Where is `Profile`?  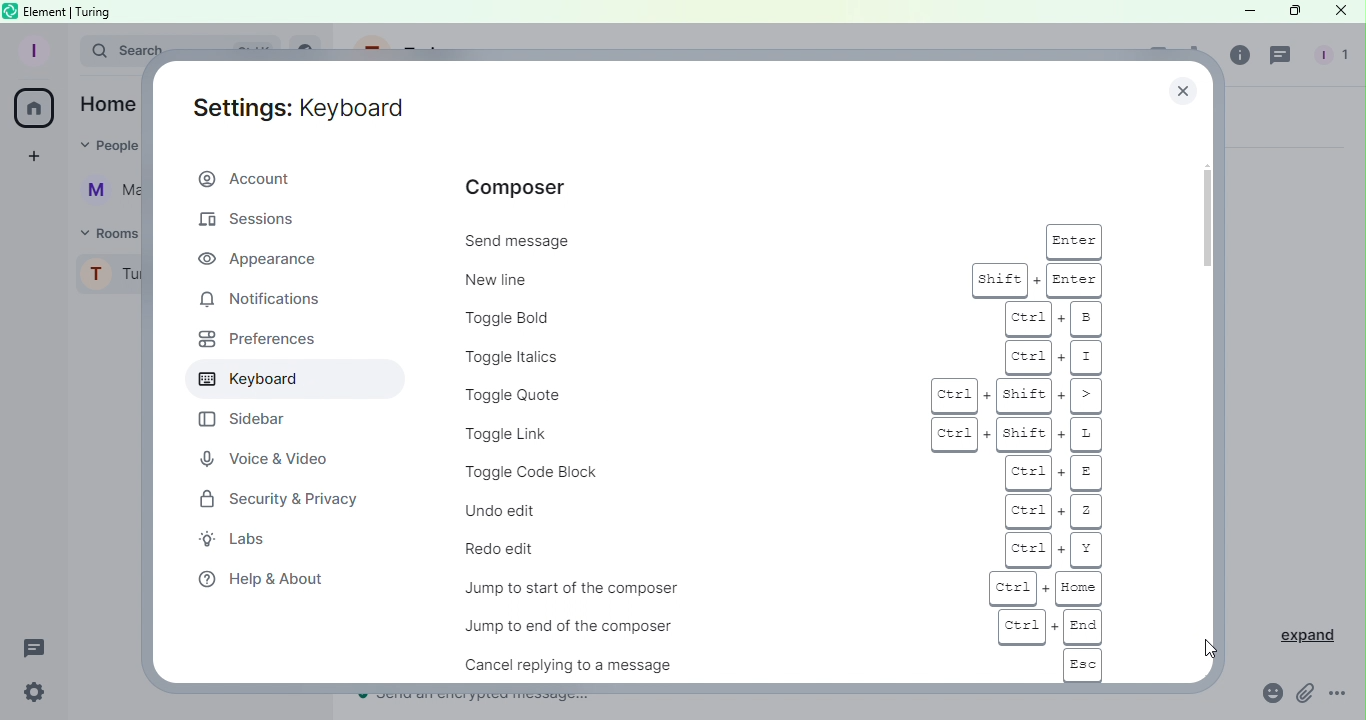
Profile is located at coordinates (32, 51).